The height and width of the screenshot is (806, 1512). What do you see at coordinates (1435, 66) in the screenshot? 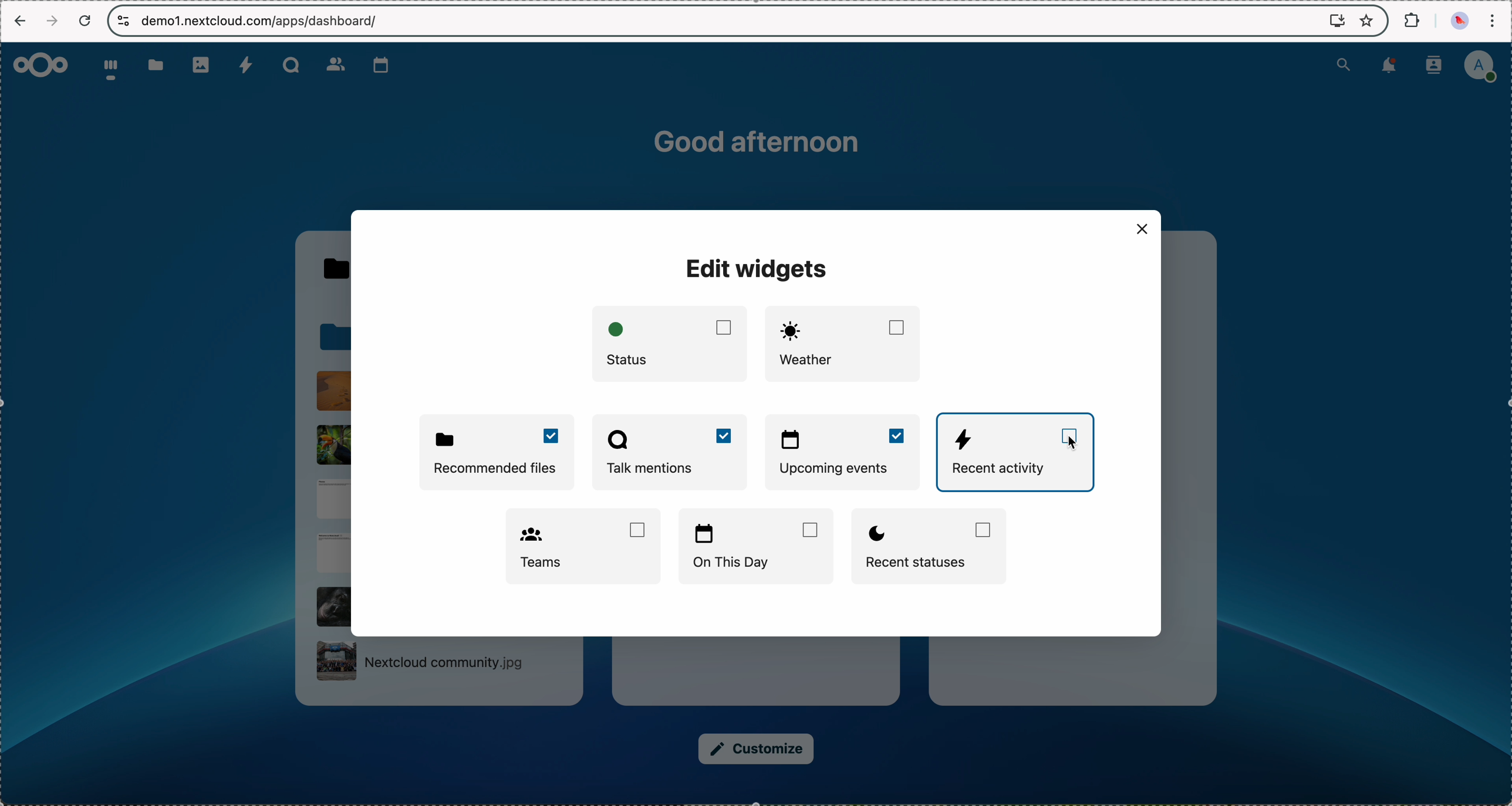
I see `contacts` at bounding box center [1435, 66].